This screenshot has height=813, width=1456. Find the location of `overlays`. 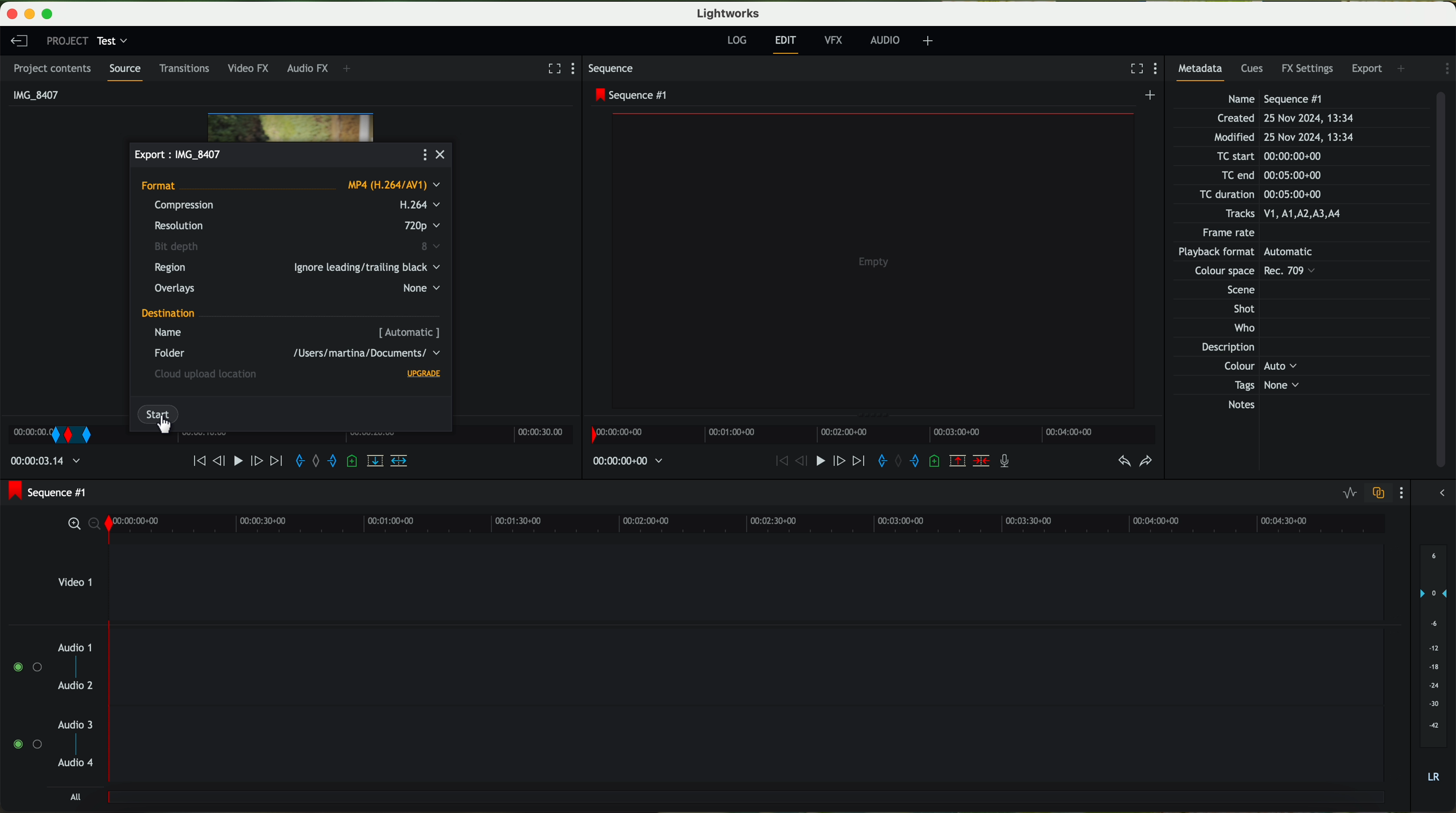

overlays is located at coordinates (295, 289).